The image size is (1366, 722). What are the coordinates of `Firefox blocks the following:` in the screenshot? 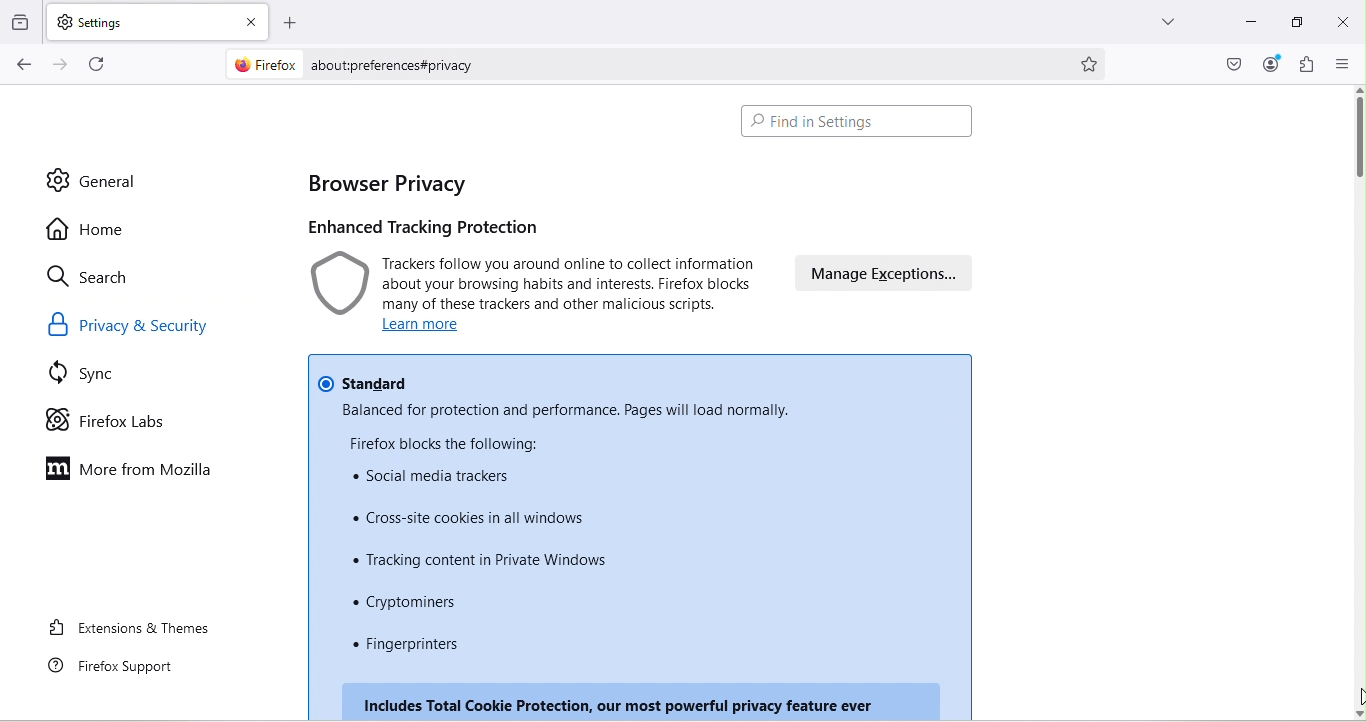 It's located at (439, 441).